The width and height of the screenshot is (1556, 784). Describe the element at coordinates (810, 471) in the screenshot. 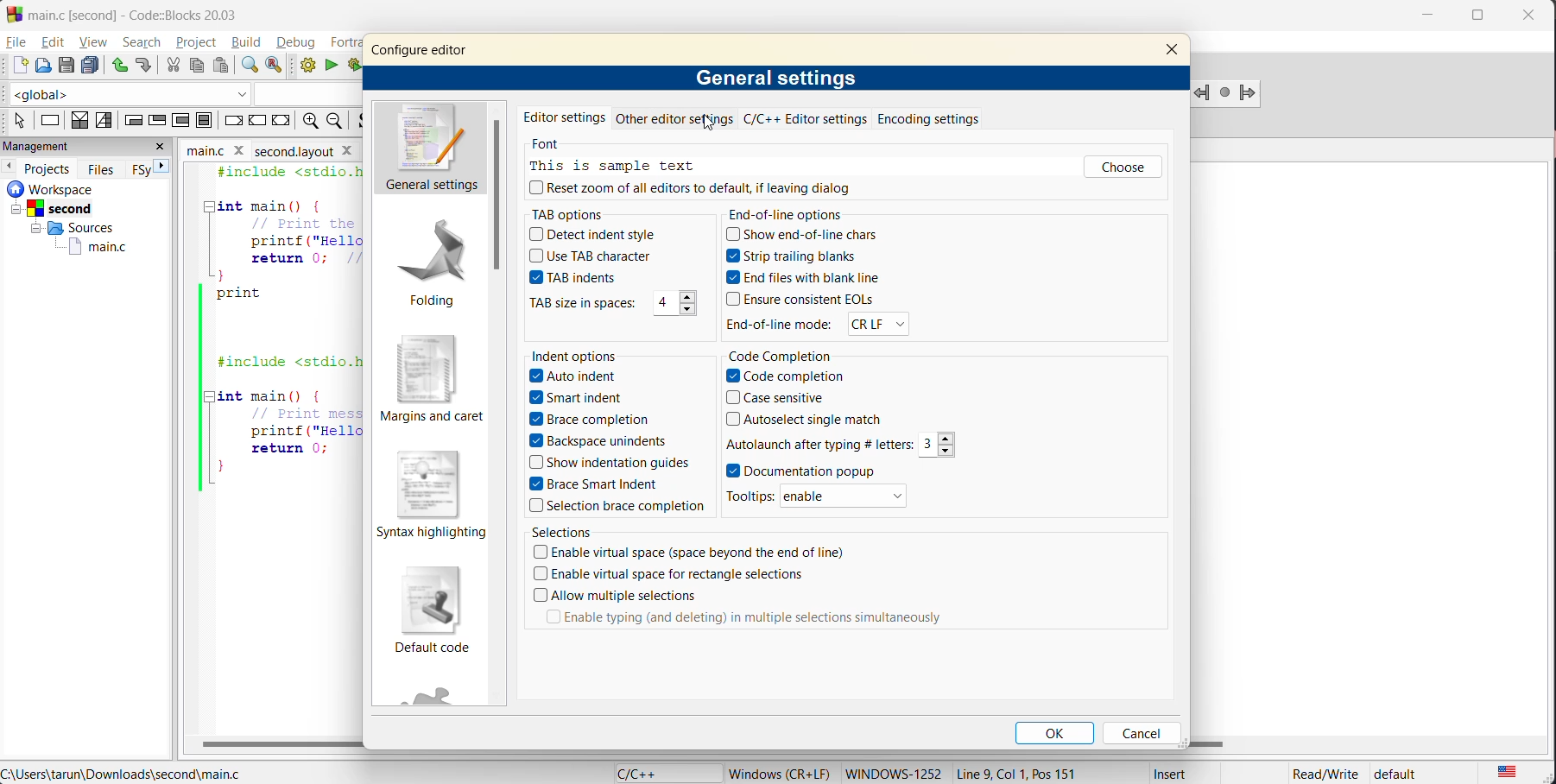

I see `Documention popup` at that location.